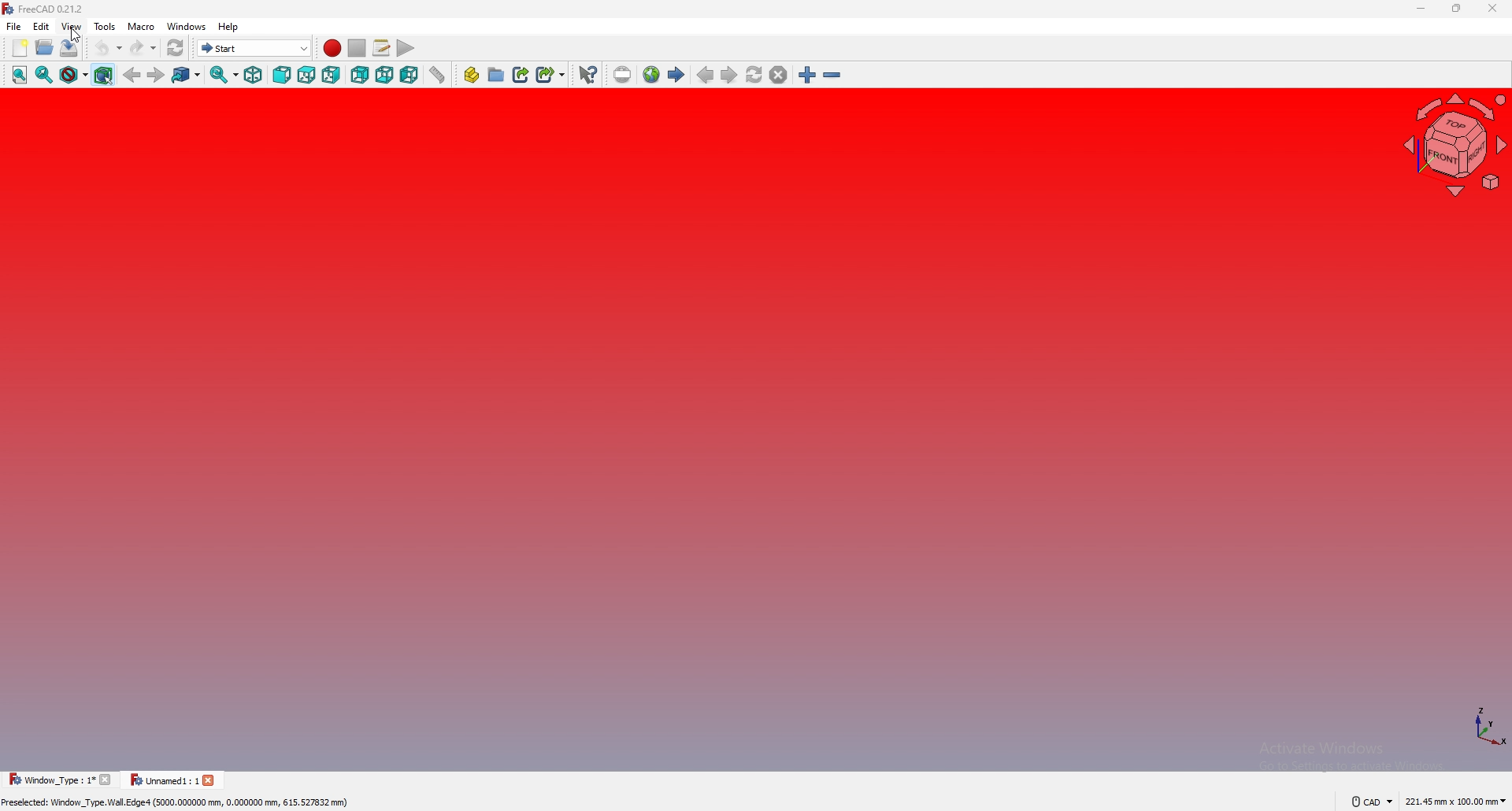 This screenshot has width=1512, height=811. Describe the element at coordinates (1369, 801) in the screenshot. I see `CAD` at that location.